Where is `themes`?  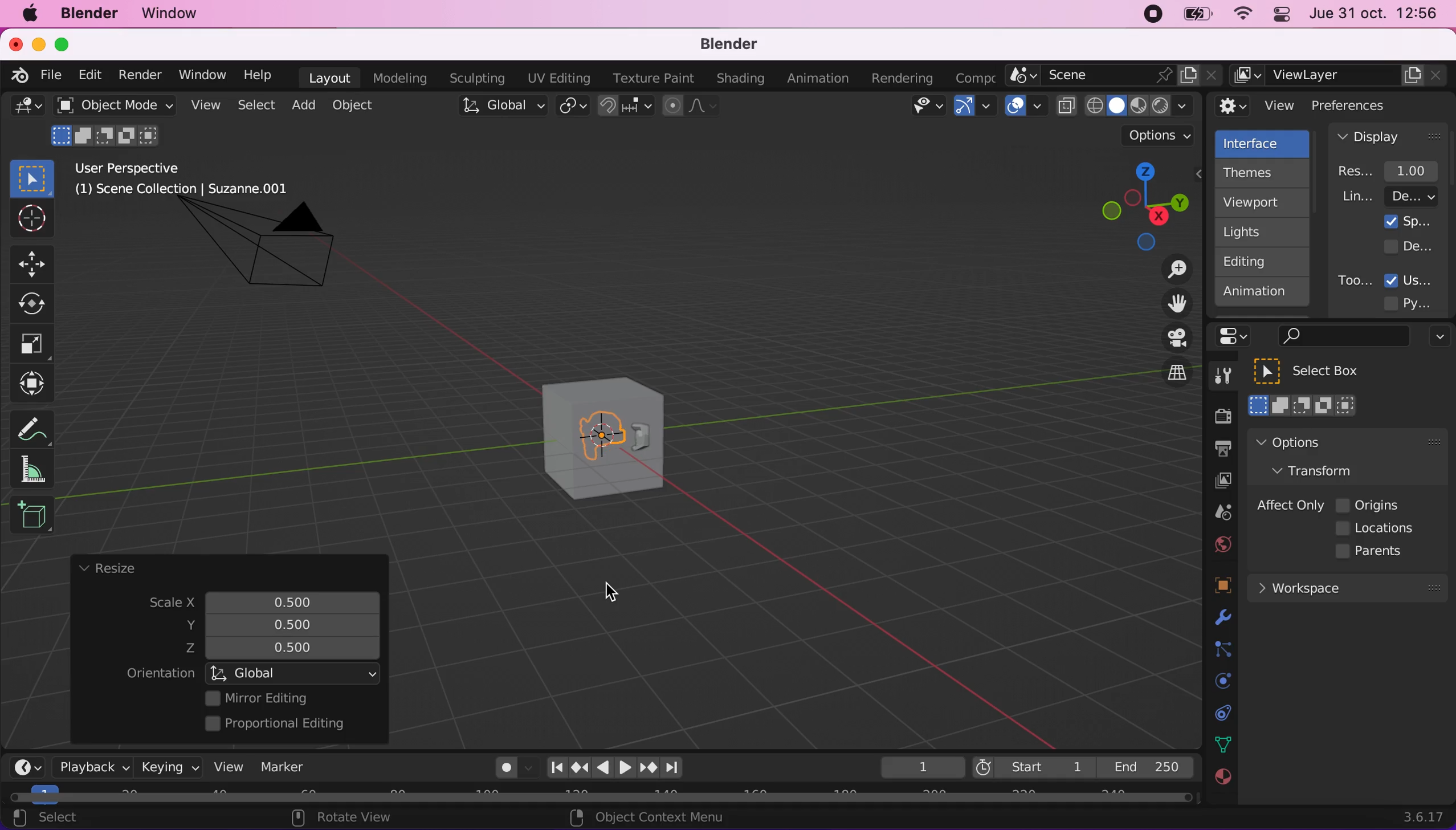 themes is located at coordinates (1261, 173).